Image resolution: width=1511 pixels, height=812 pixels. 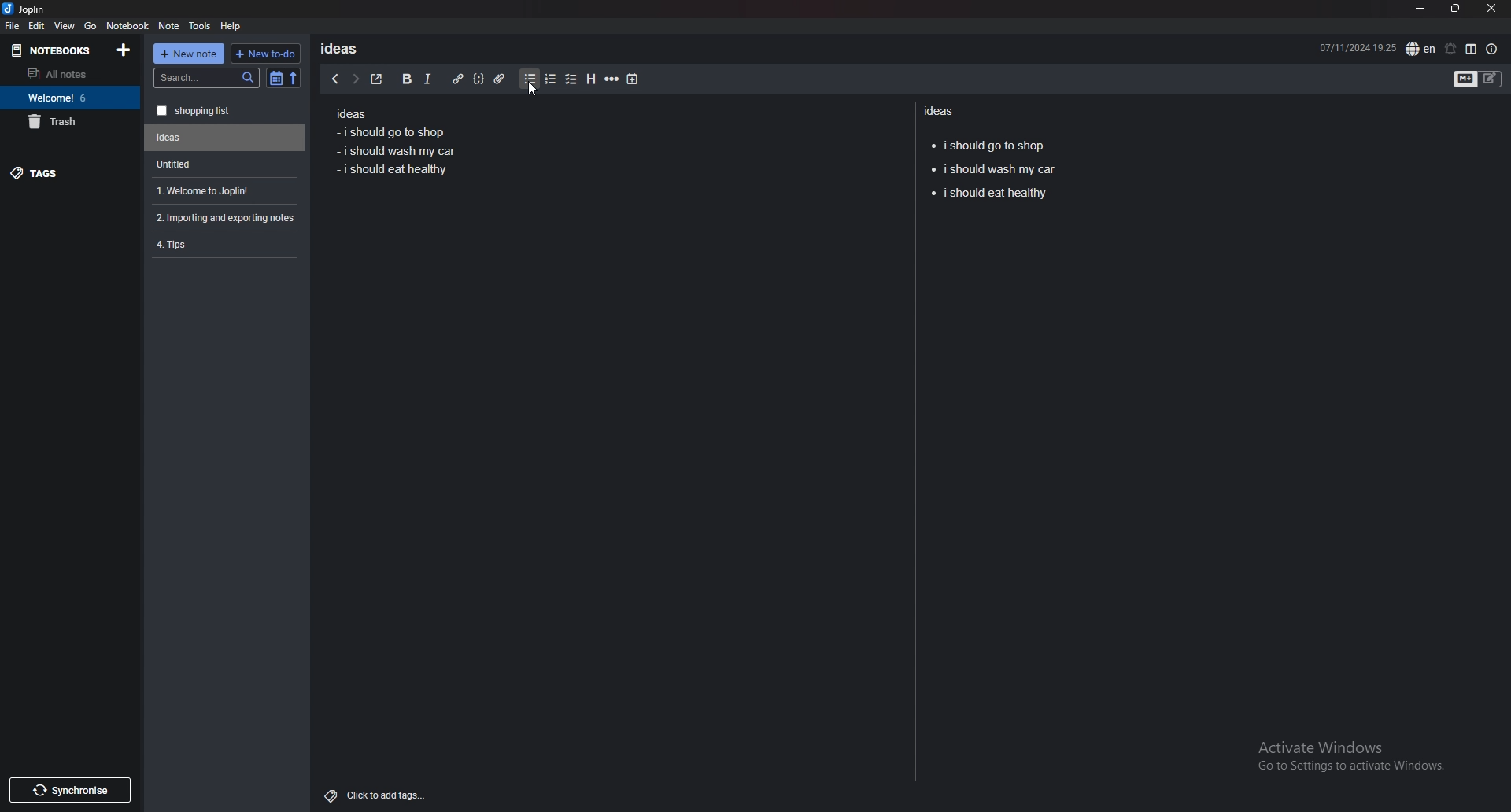 What do you see at coordinates (988, 143) in the screenshot?
I see `i should go to shop` at bounding box center [988, 143].